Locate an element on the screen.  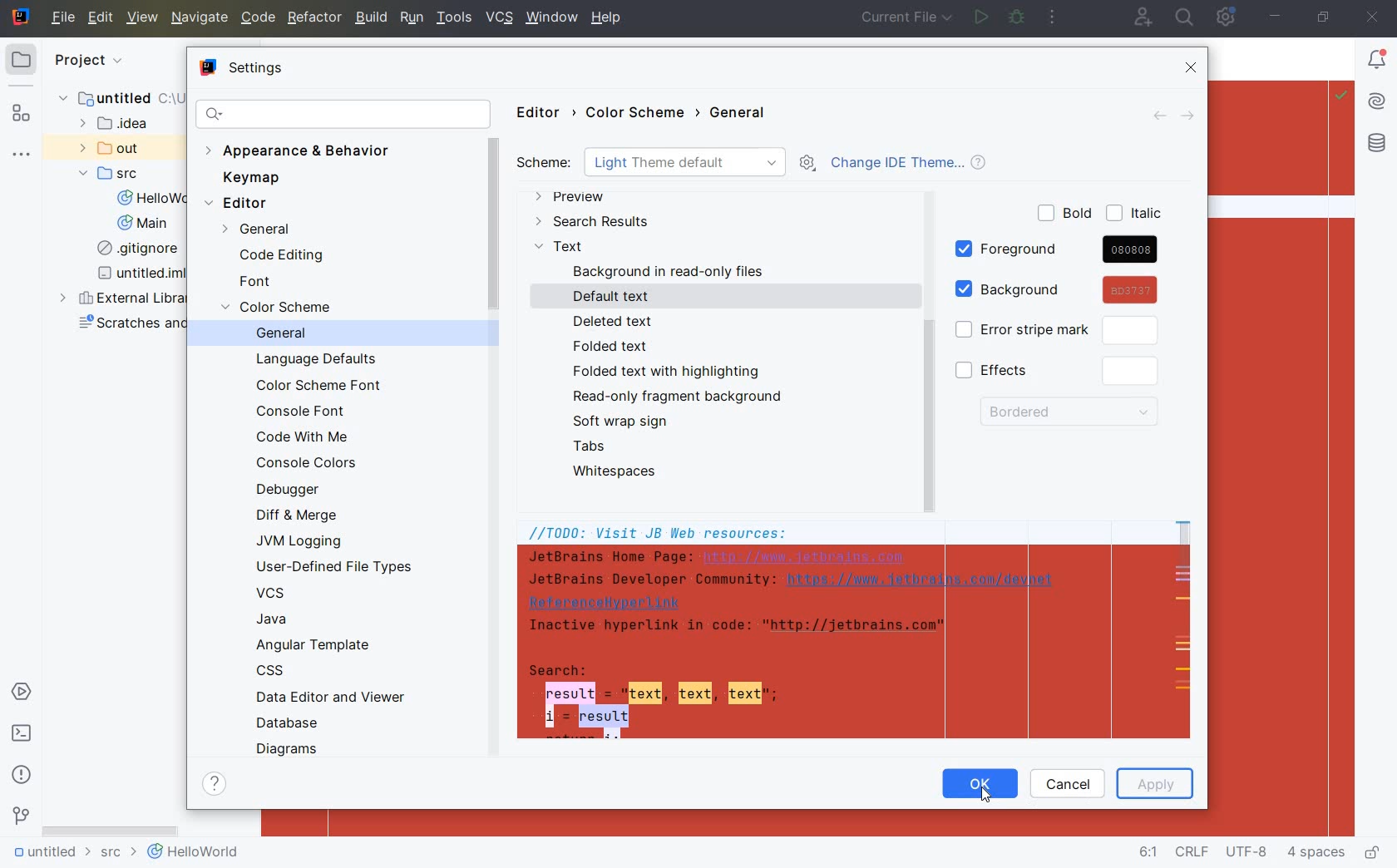
untitled is located at coordinates (48, 855).